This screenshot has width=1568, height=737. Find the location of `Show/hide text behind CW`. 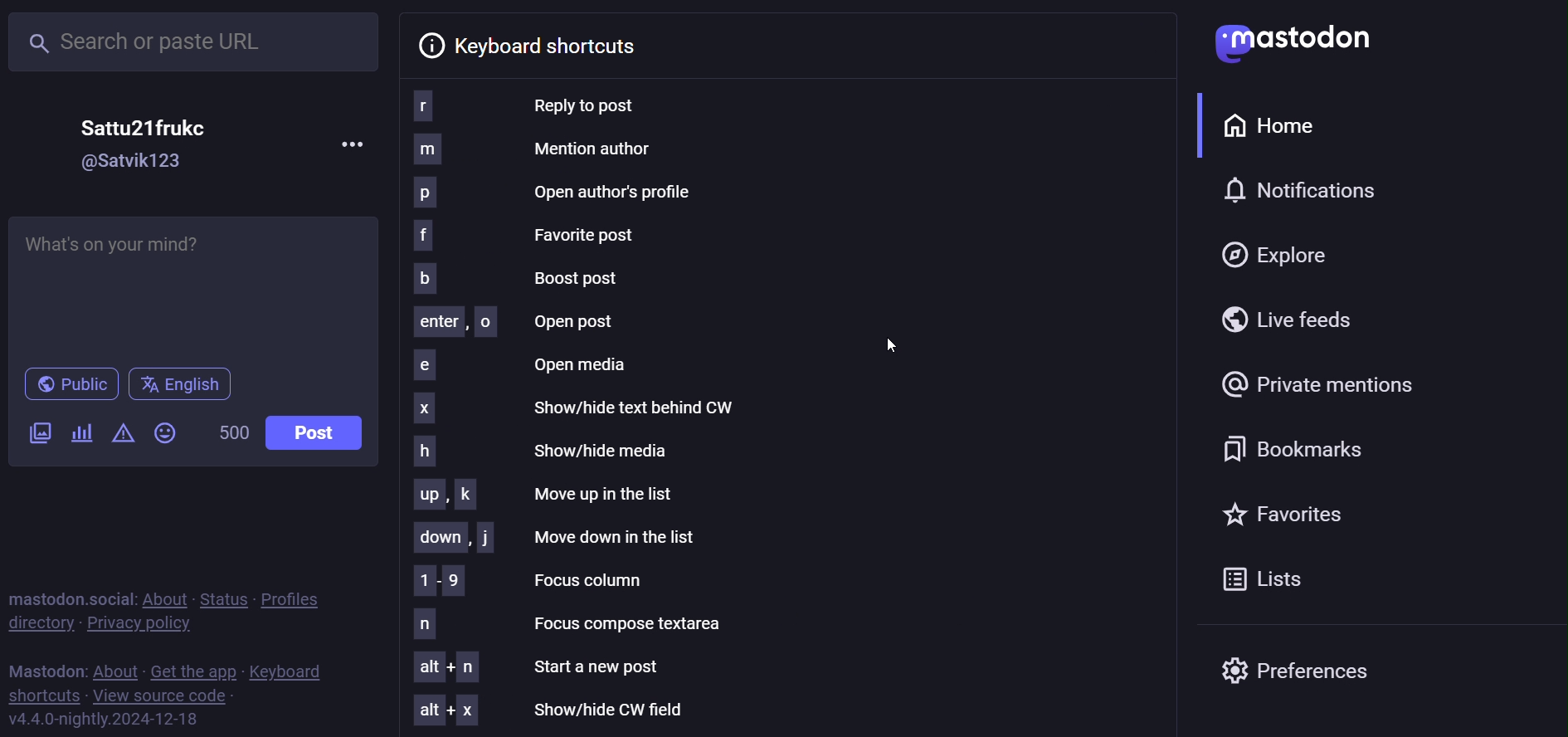

Show/hide text behind CW is located at coordinates (580, 408).